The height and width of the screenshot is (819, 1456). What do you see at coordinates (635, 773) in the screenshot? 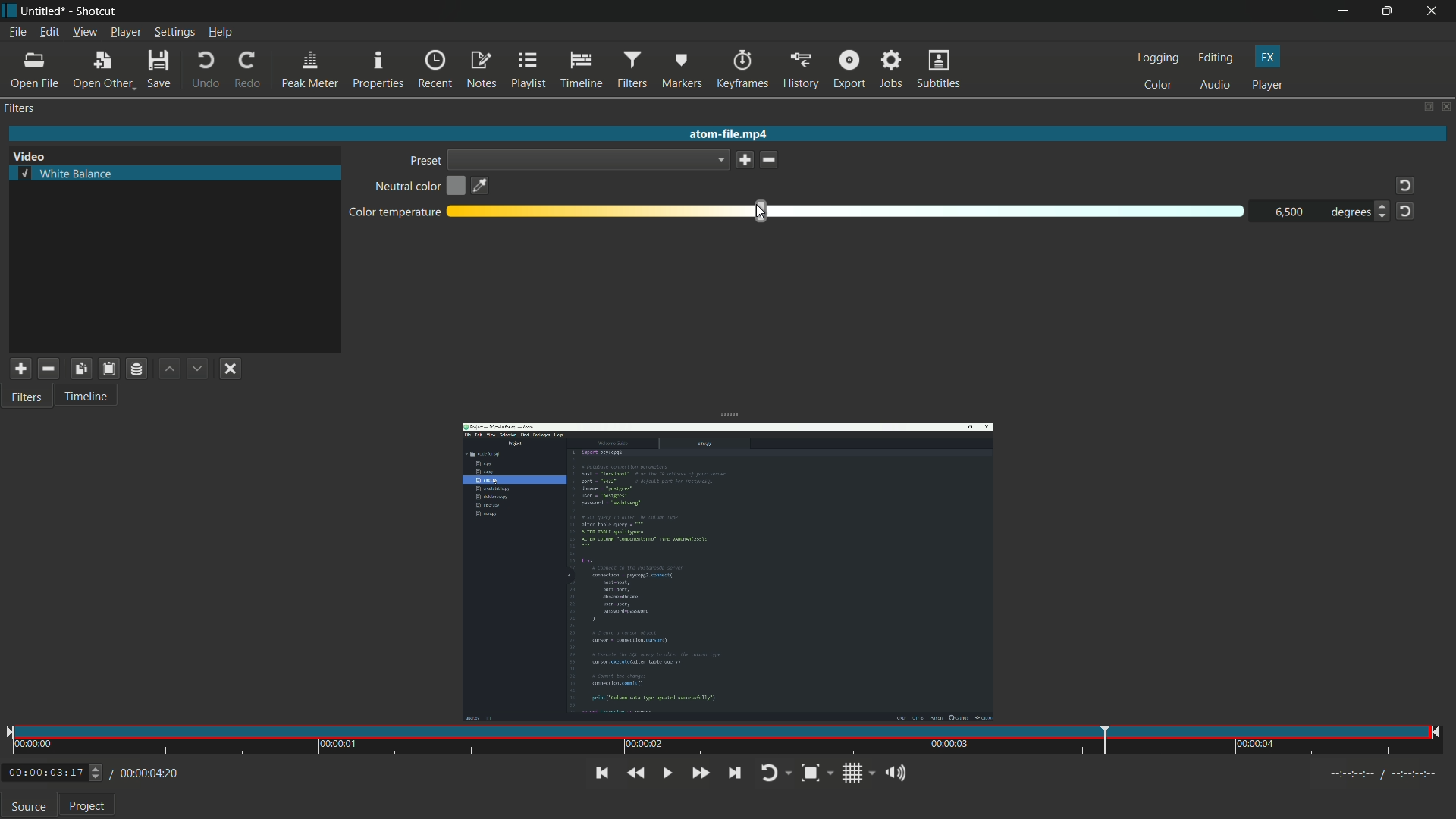
I see `quickly play backward` at bounding box center [635, 773].